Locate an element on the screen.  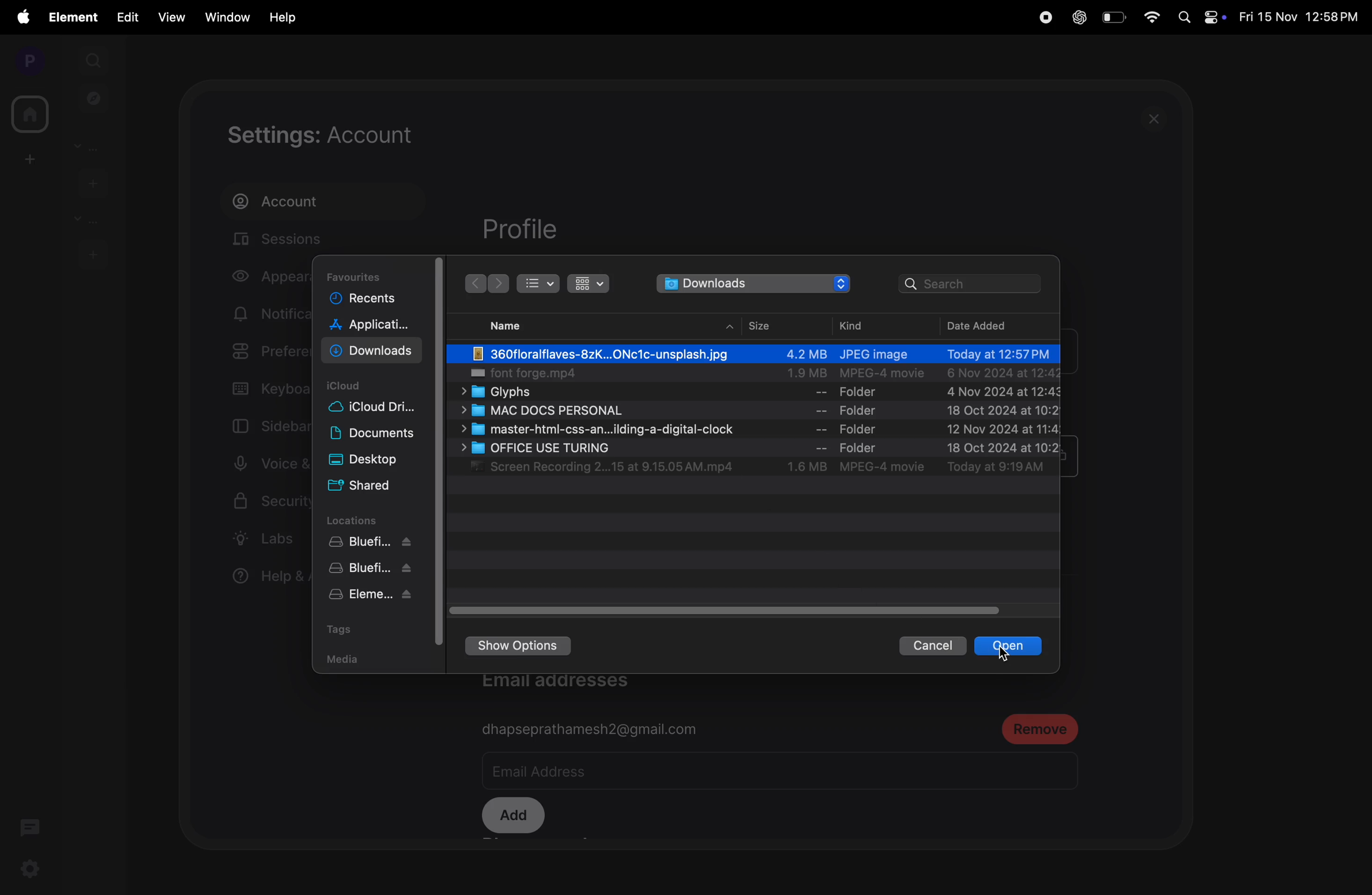
Help is located at coordinates (284, 17).